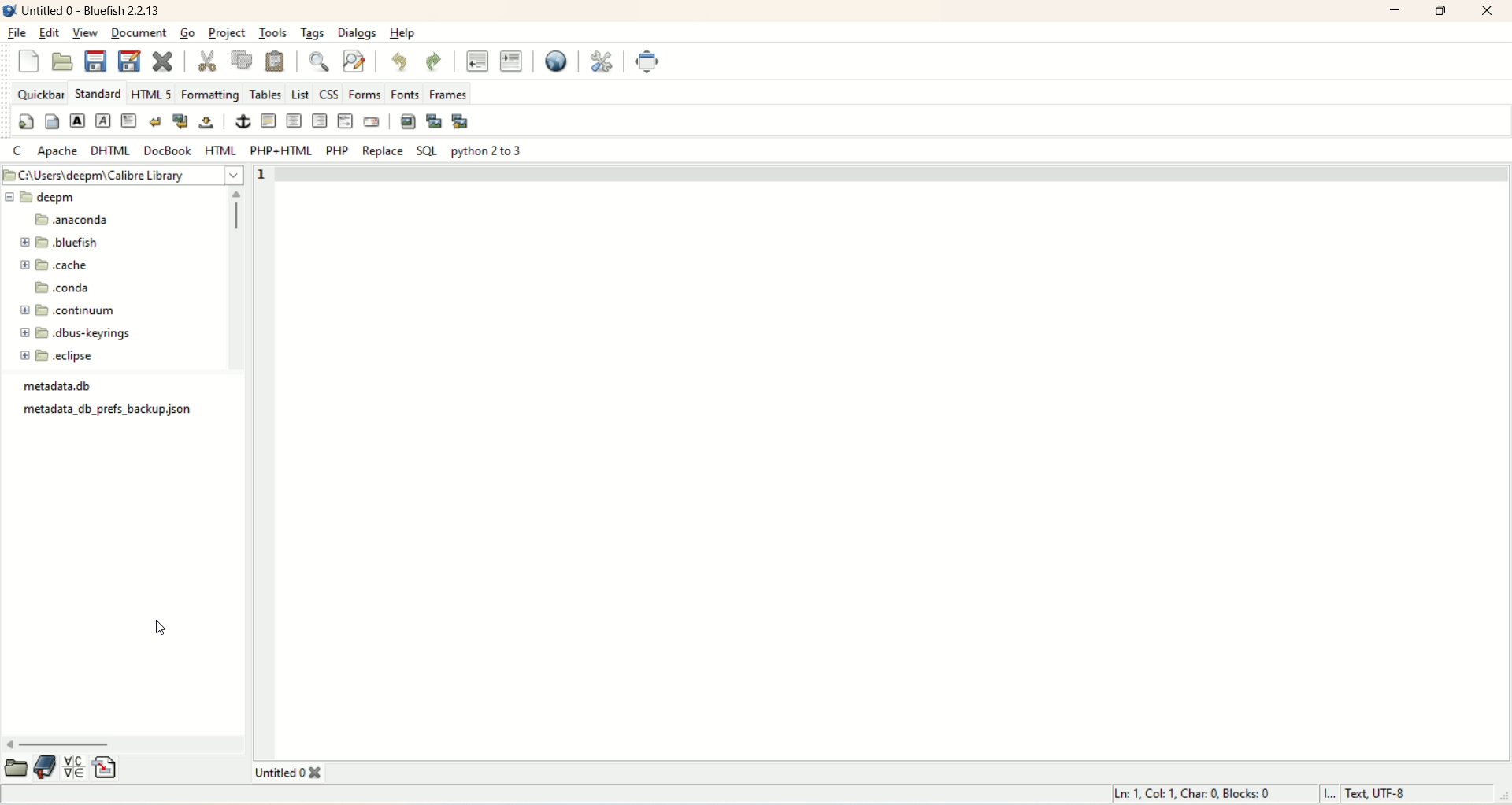  Describe the element at coordinates (112, 402) in the screenshot. I see `metadata` at that location.